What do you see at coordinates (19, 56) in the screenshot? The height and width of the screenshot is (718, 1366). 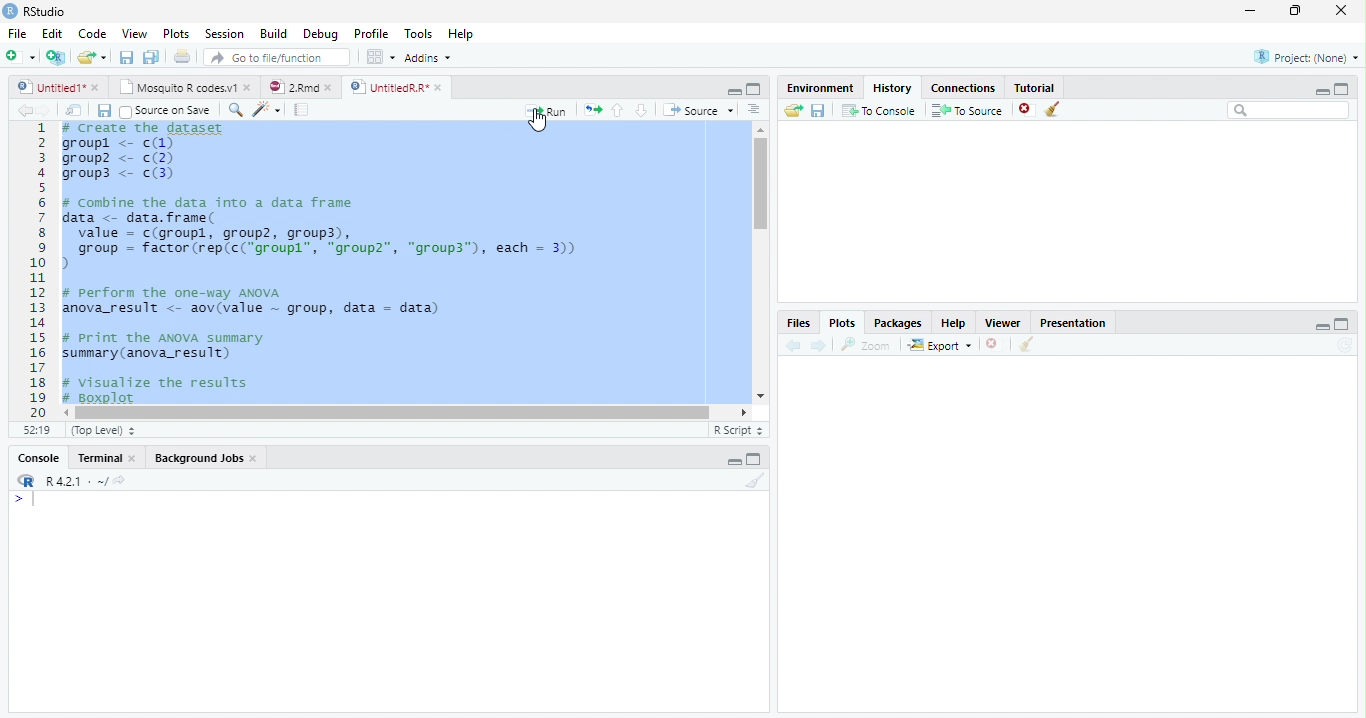 I see `New file` at bounding box center [19, 56].